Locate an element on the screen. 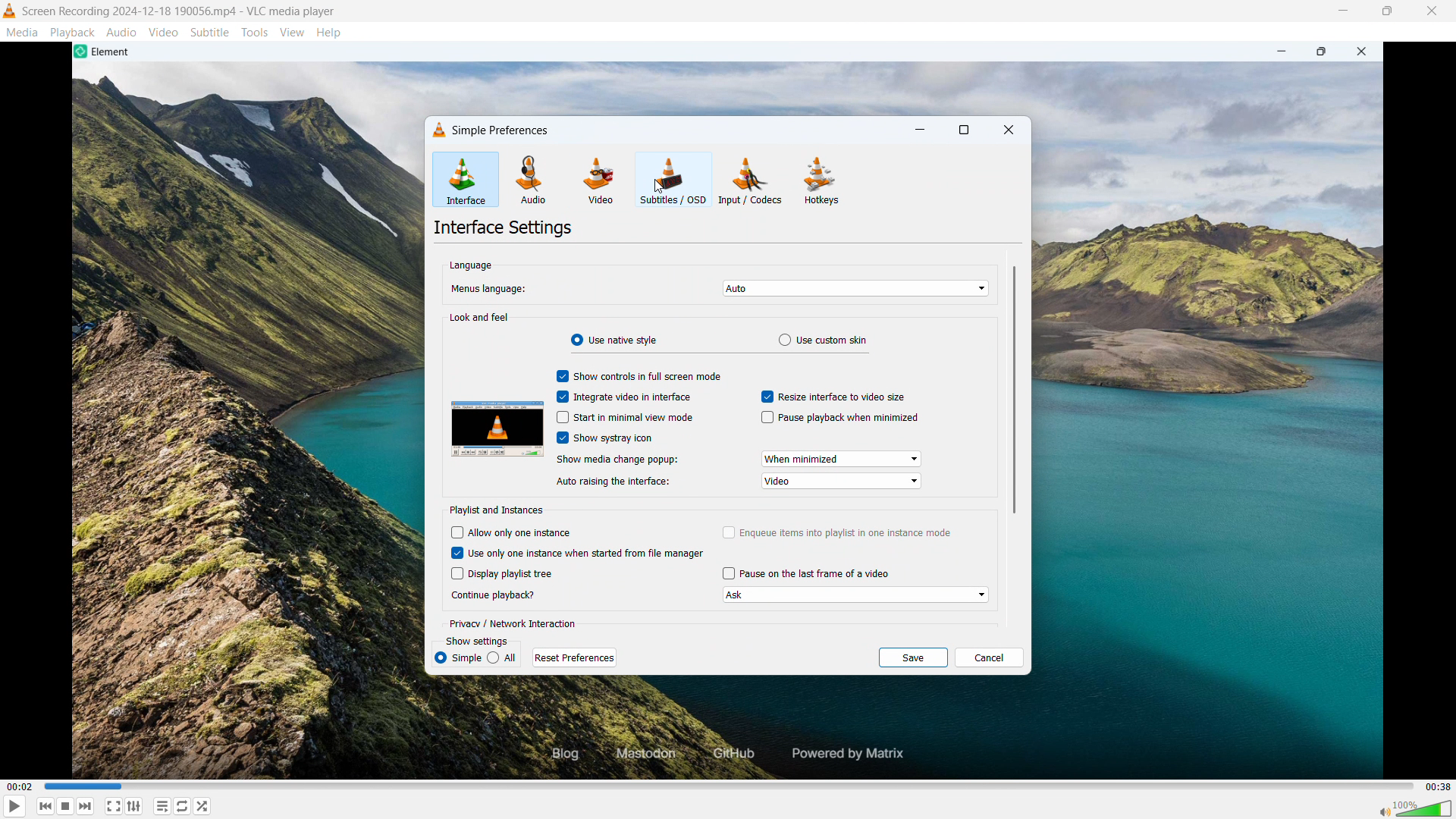  Help  is located at coordinates (329, 32).